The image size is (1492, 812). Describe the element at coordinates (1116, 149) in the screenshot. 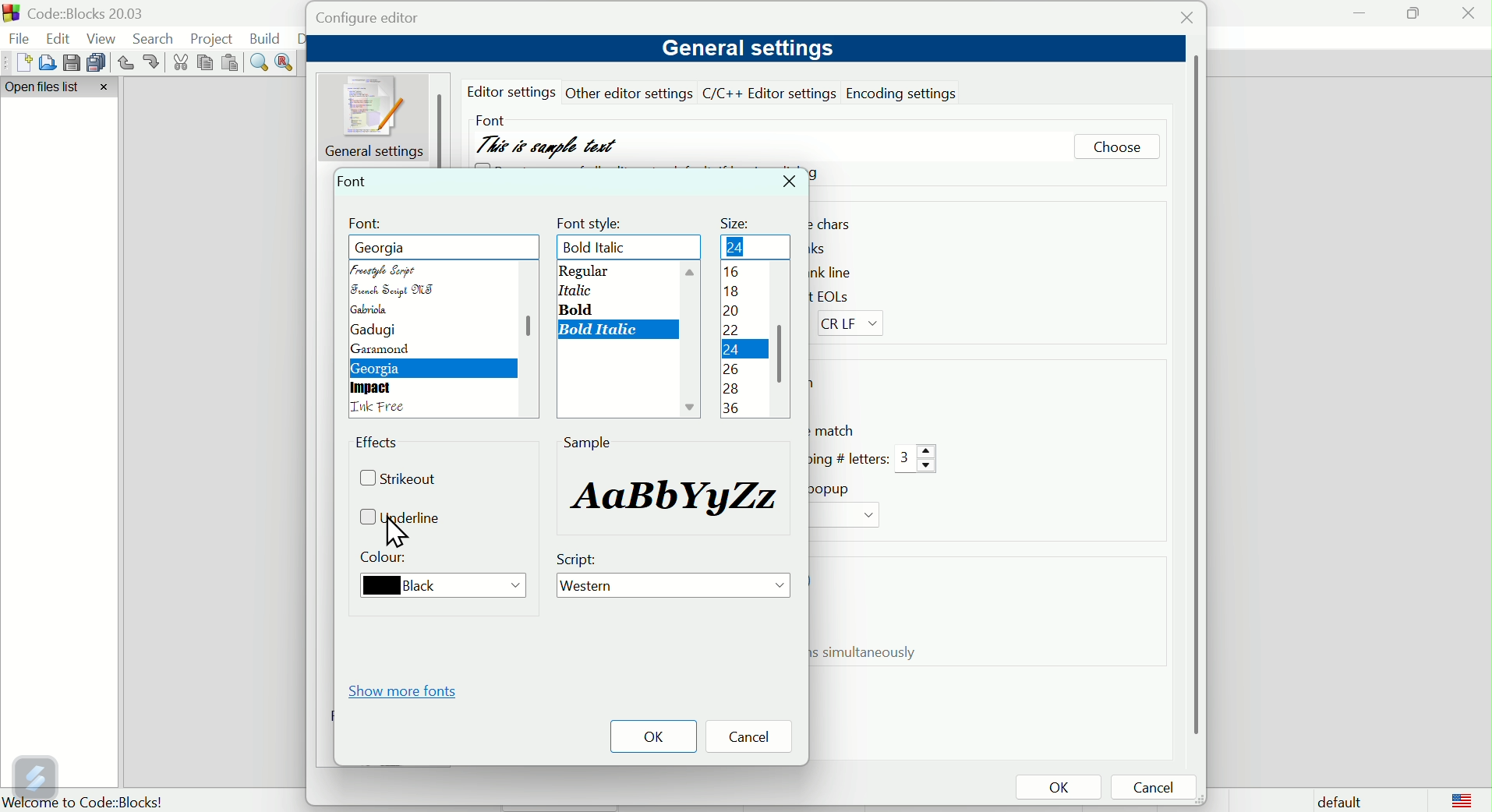

I see `Choose` at that location.